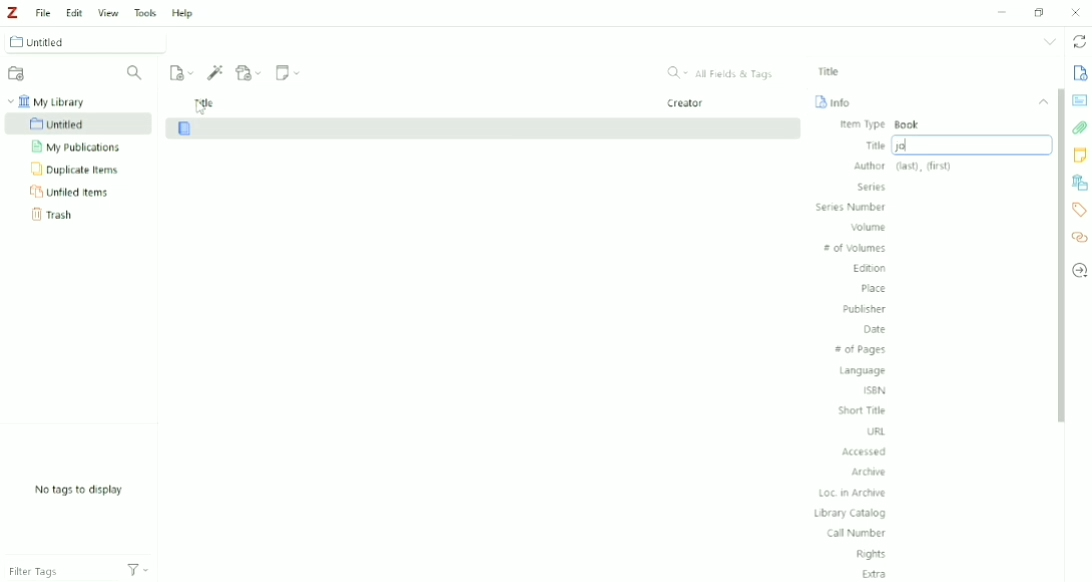 This screenshot has width=1092, height=582. Describe the element at coordinates (722, 73) in the screenshot. I see `All Fields & Tags` at that location.